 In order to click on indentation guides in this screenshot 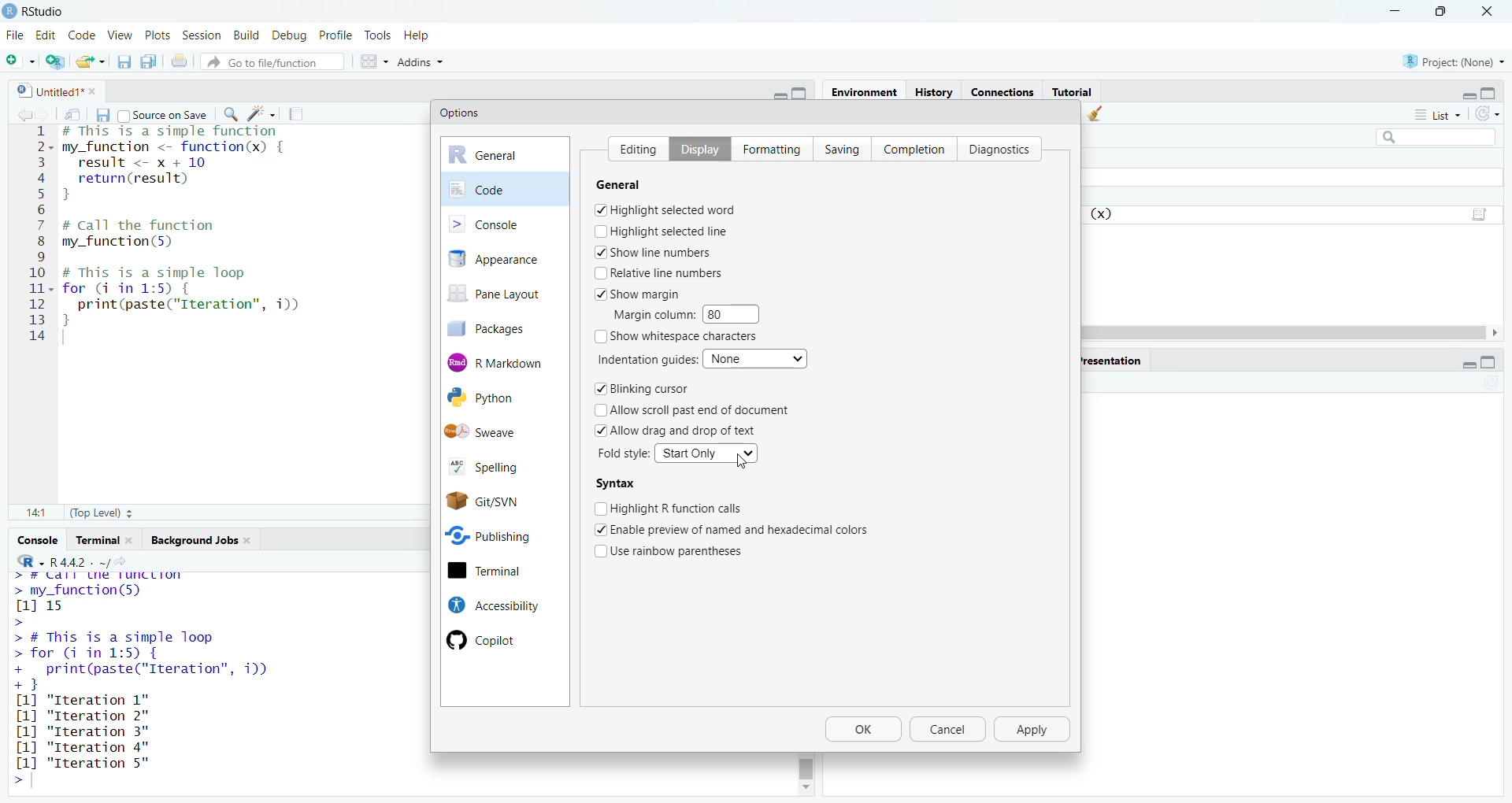, I will do `click(645, 359)`.